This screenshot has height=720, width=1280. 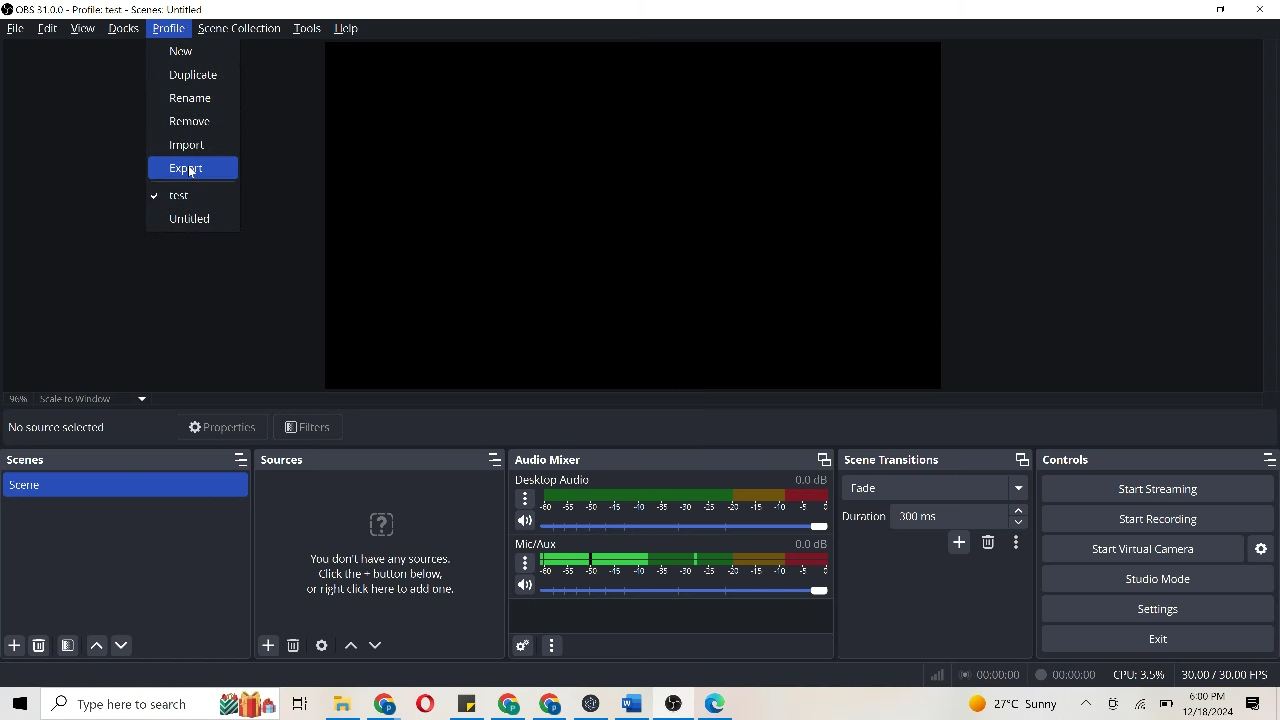 I want to click on file, so click(x=470, y=705).